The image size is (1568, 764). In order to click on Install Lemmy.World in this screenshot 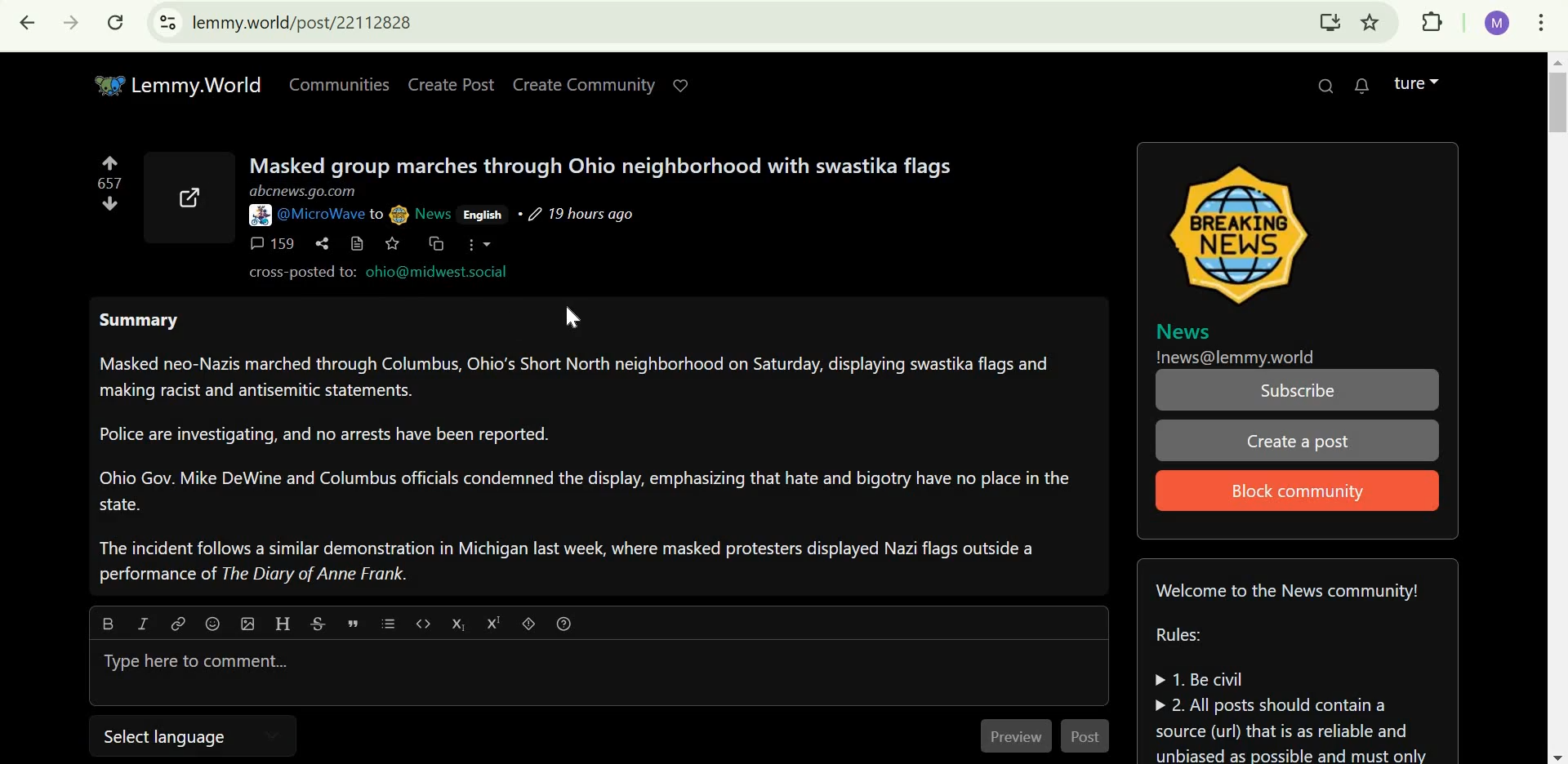, I will do `click(1330, 19)`.